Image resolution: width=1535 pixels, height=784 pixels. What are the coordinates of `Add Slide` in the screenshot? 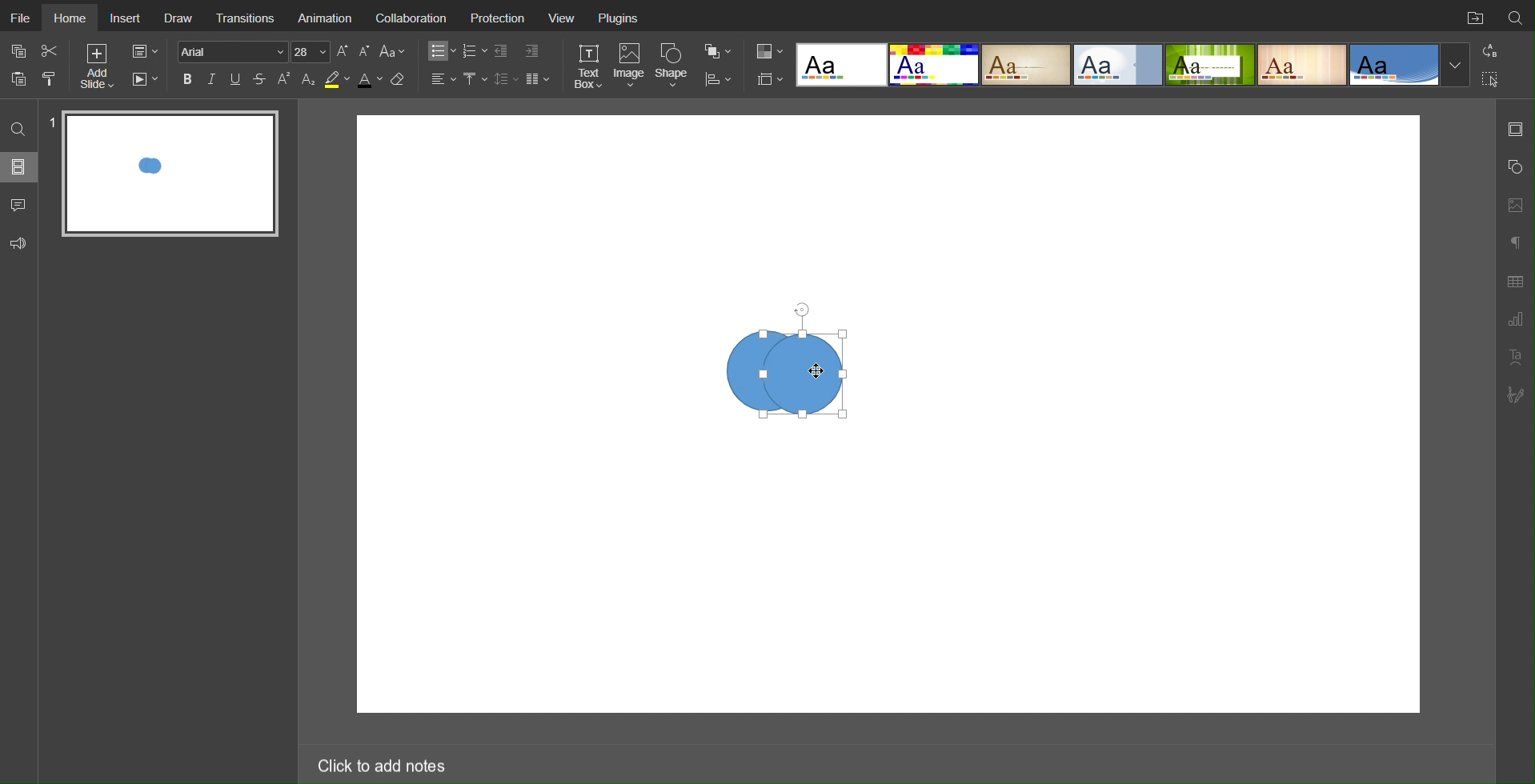 It's located at (96, 69).